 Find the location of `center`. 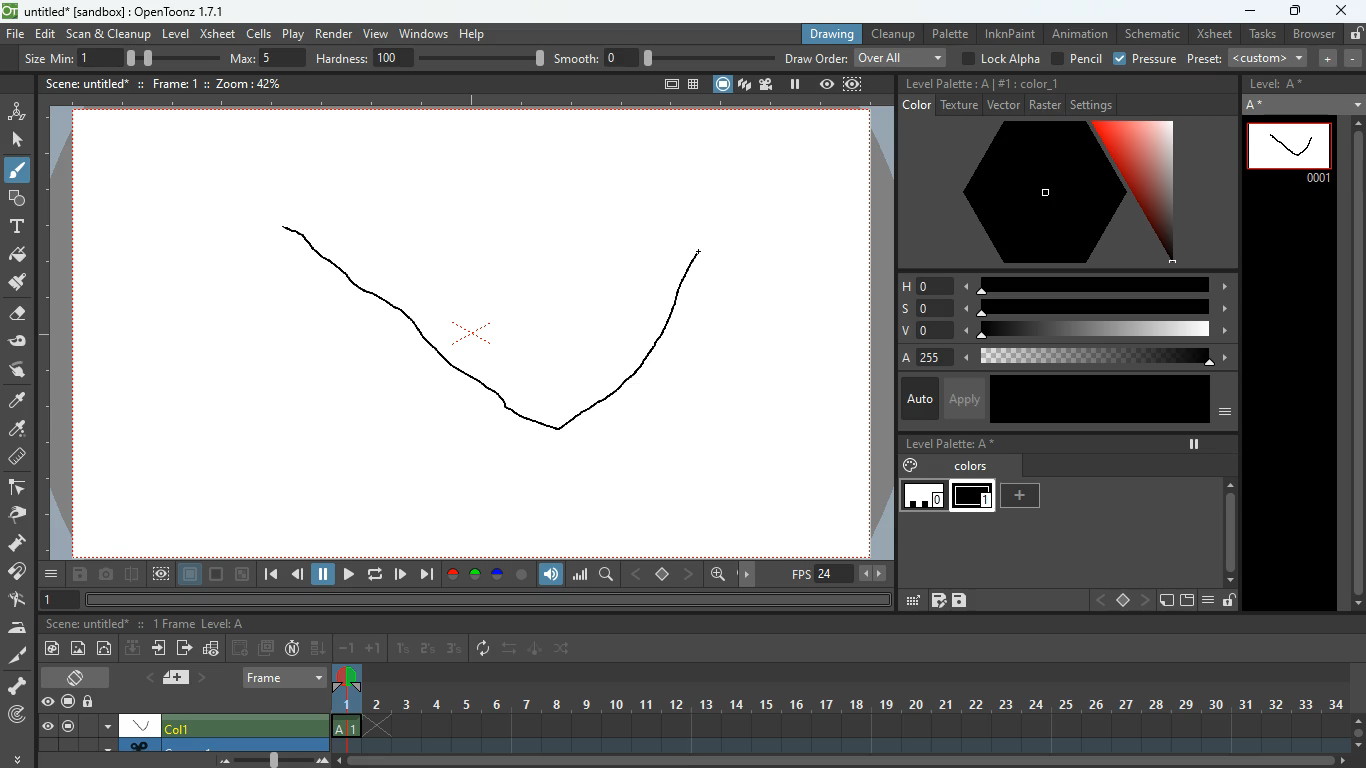

center is located at coordinates (663, 573).